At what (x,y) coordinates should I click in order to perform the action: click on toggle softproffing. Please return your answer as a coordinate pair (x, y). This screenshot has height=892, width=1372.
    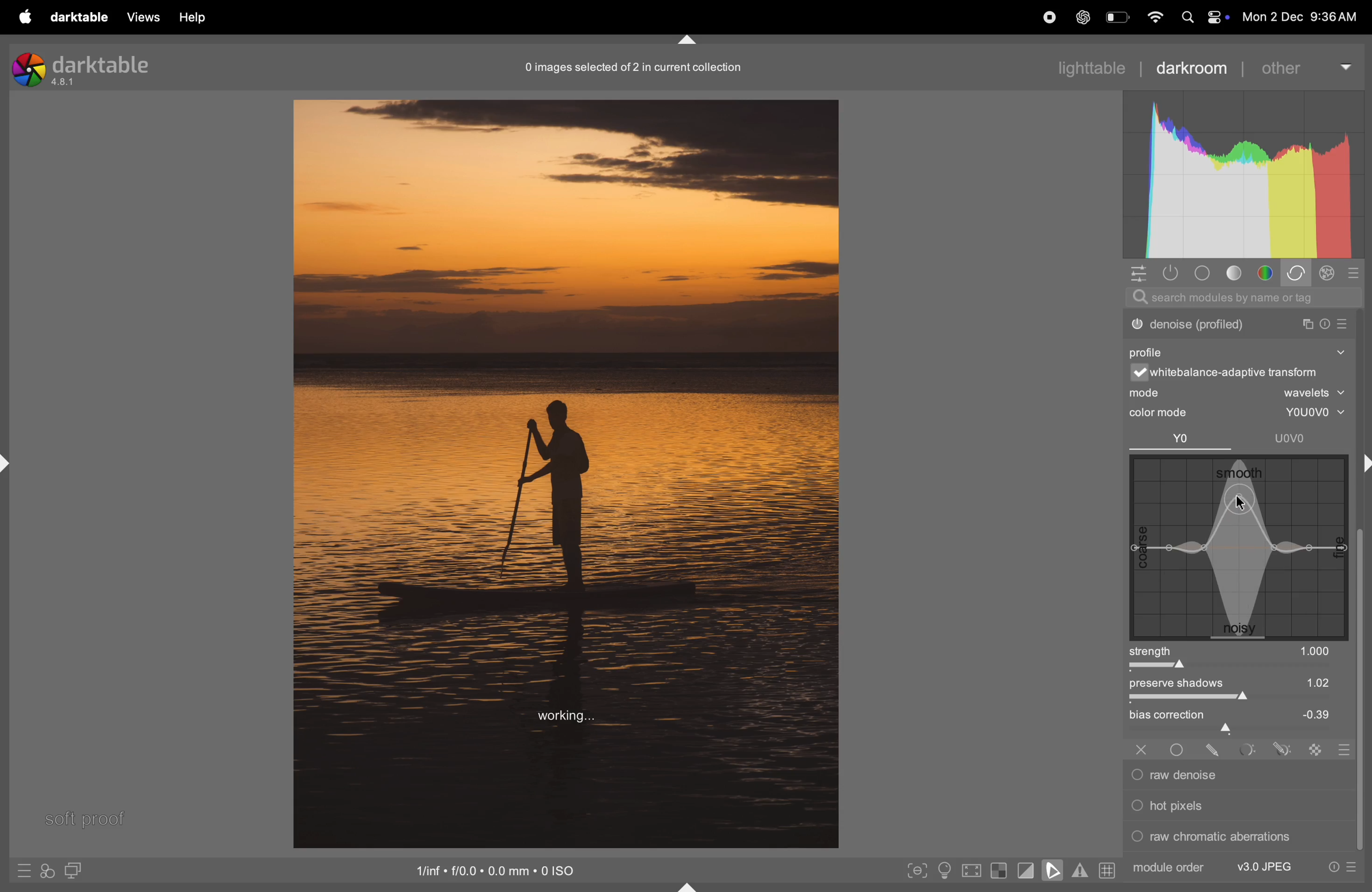
    Looking at the image, I should click on (1053, 872).